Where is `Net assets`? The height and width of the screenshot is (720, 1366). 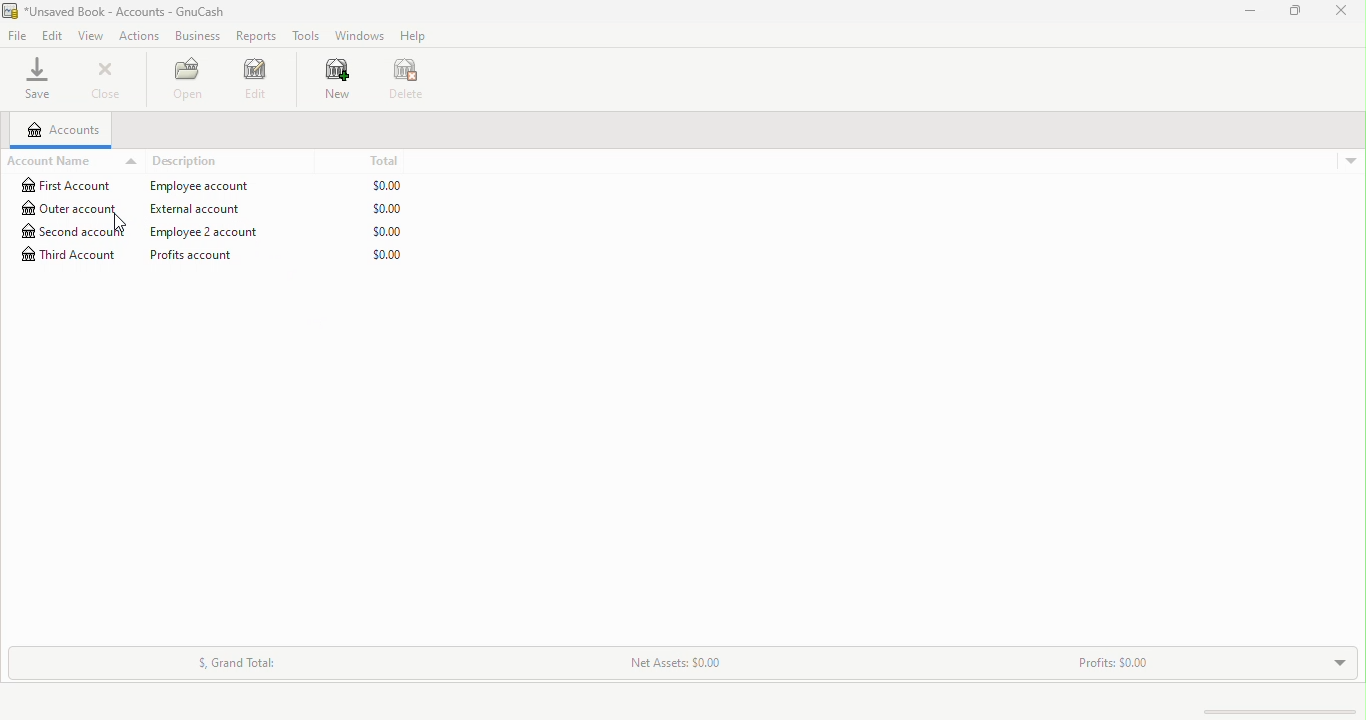
Net assets is located at coordinates (661, 664).